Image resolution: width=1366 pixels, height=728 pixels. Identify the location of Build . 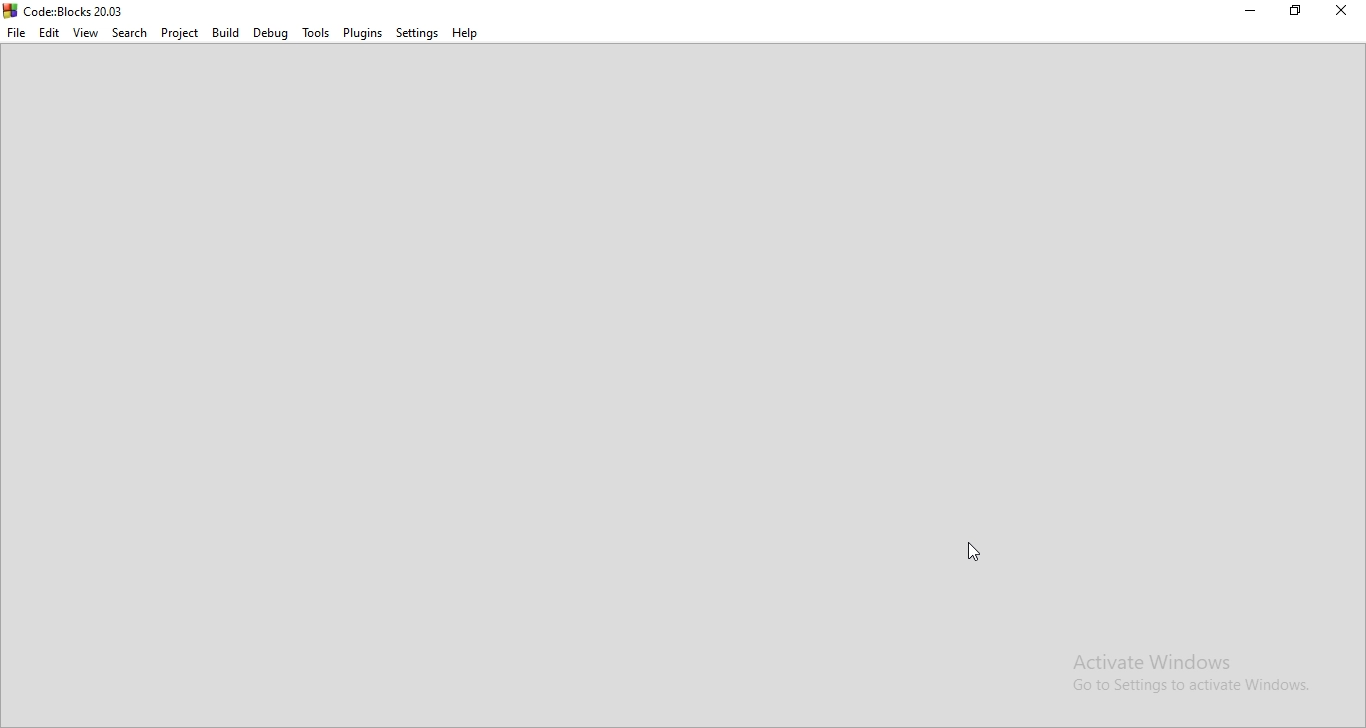
(223, 31).